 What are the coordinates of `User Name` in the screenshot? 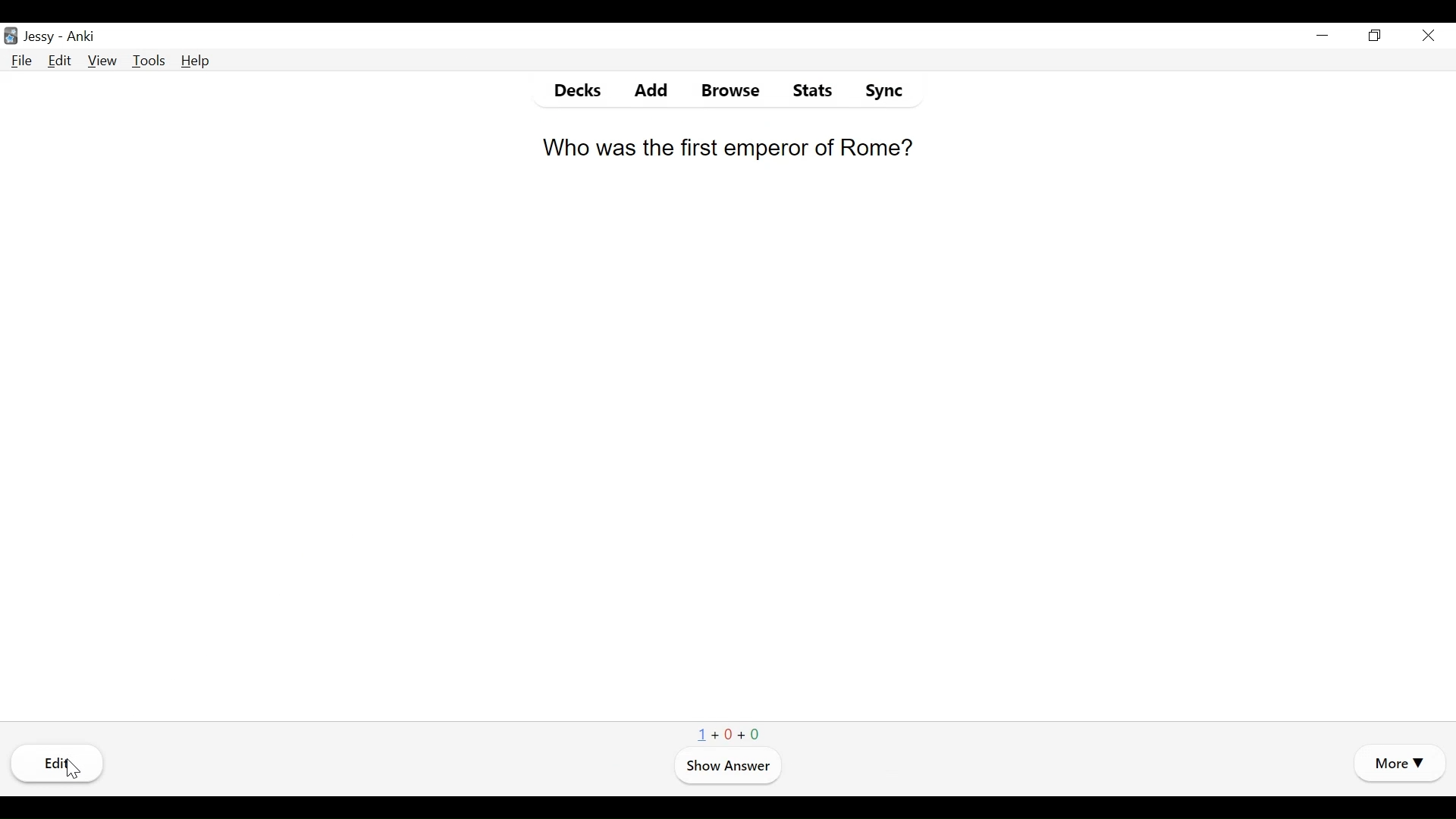 It's located at (39, 38).